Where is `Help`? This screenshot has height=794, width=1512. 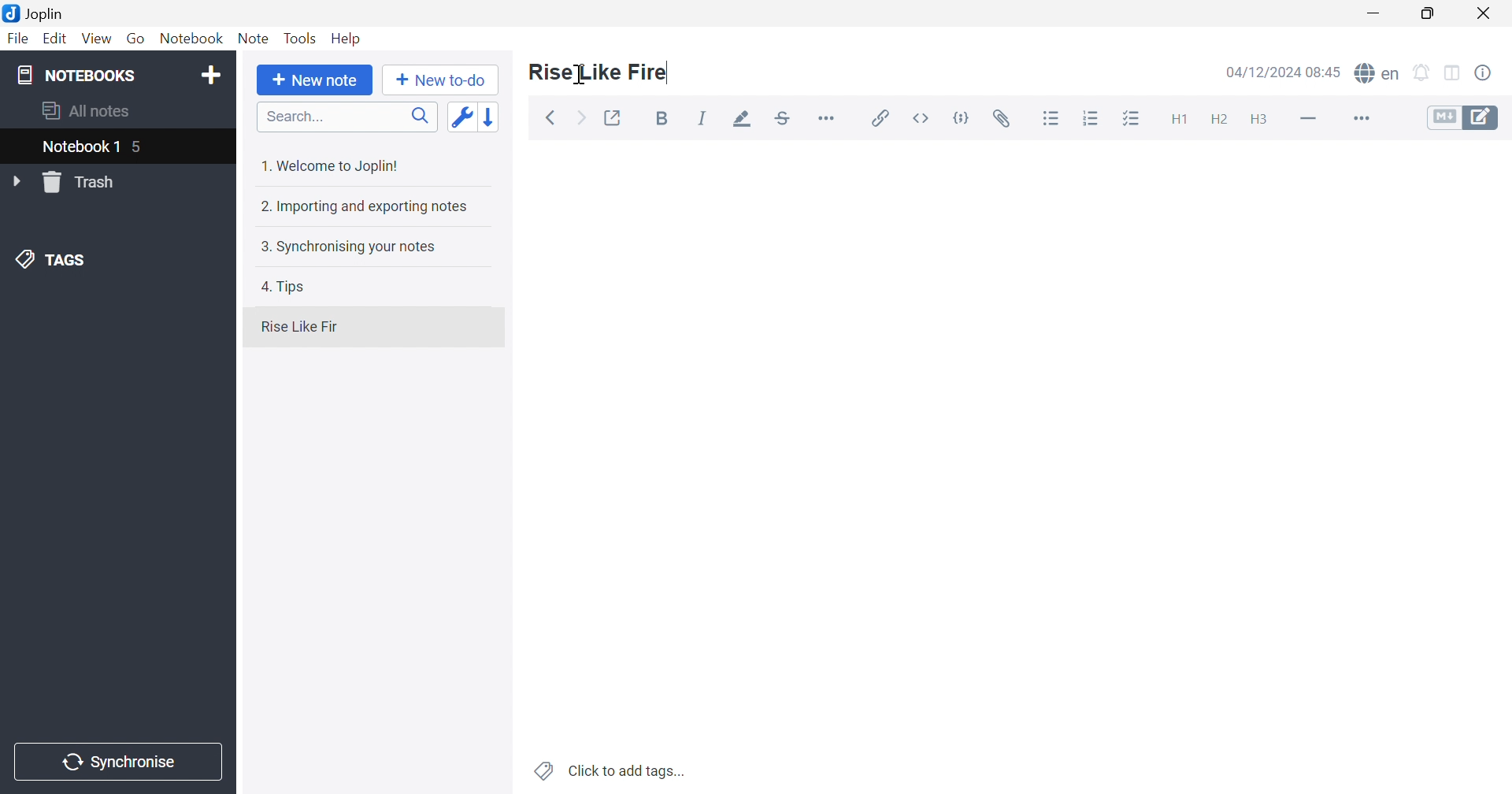
Help is located at coordinates (344, 38).